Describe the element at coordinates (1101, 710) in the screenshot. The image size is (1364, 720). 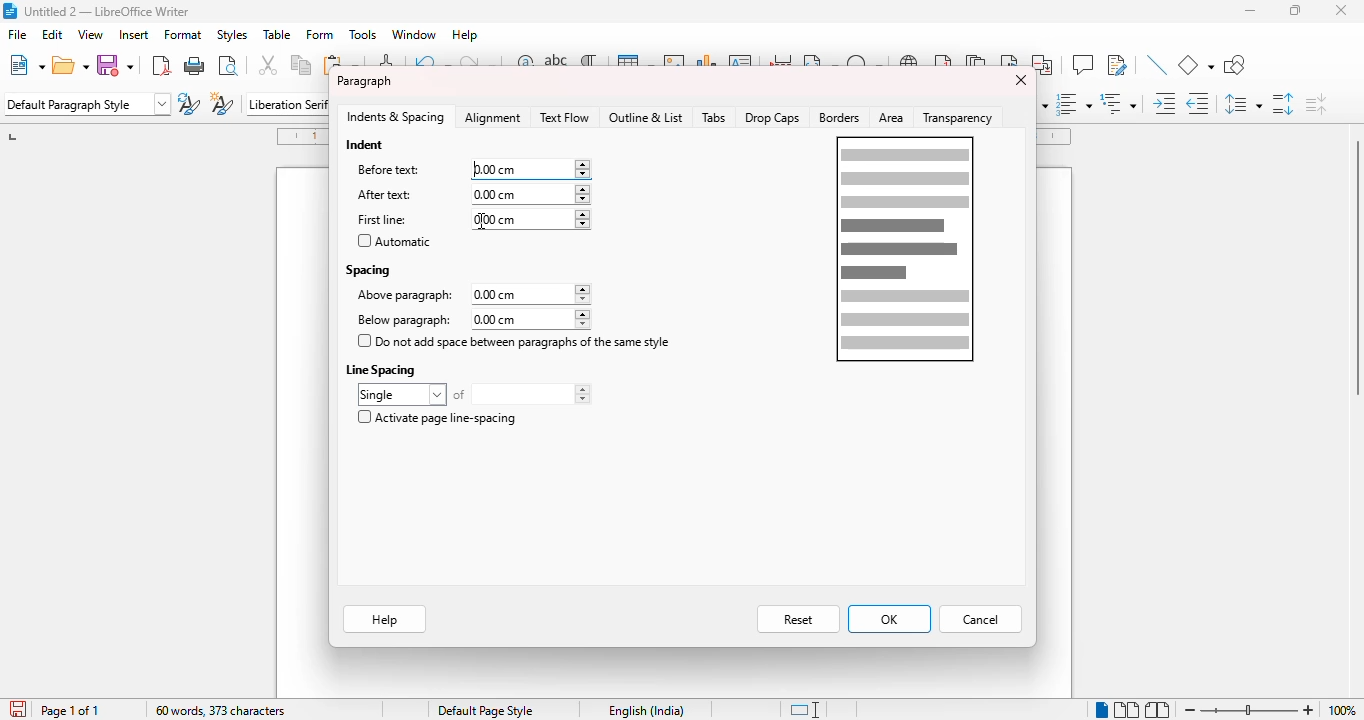
I see `single-page view` at that location.